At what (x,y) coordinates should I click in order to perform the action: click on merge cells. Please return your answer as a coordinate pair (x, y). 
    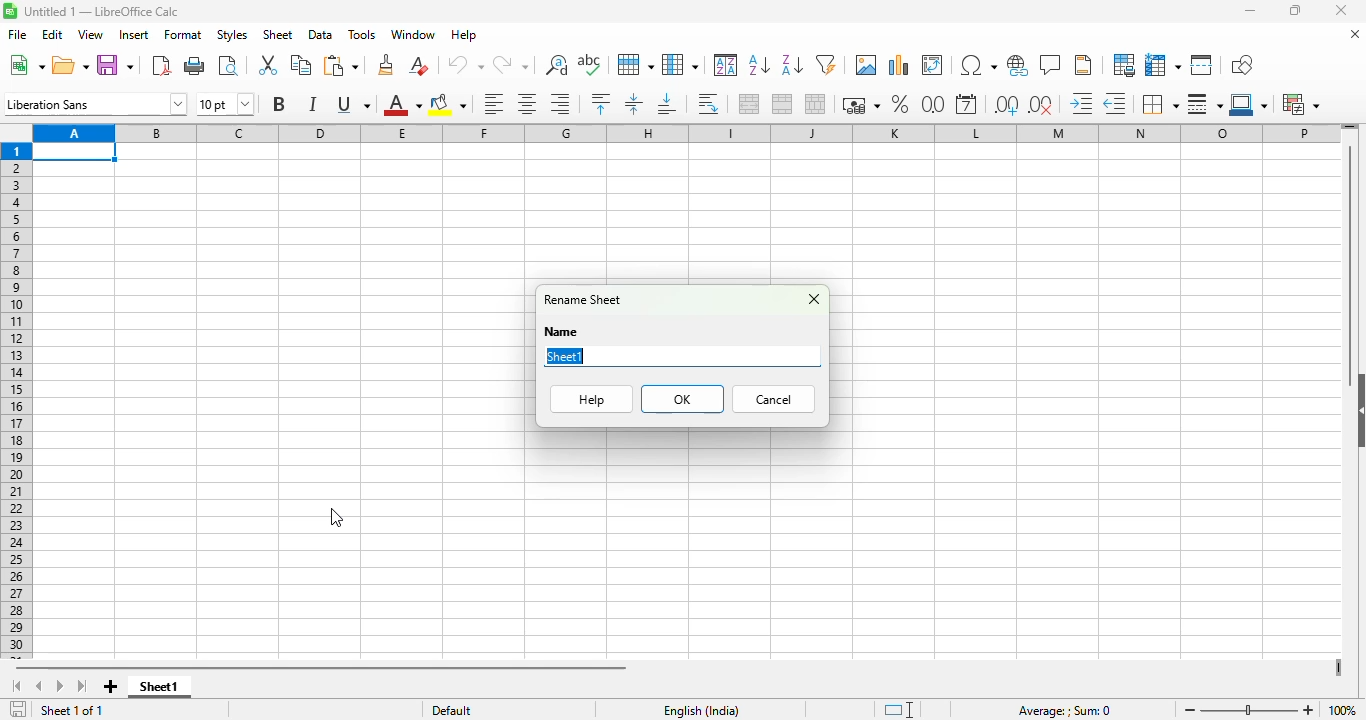
    Looking at the image, I should click on (783, 103).